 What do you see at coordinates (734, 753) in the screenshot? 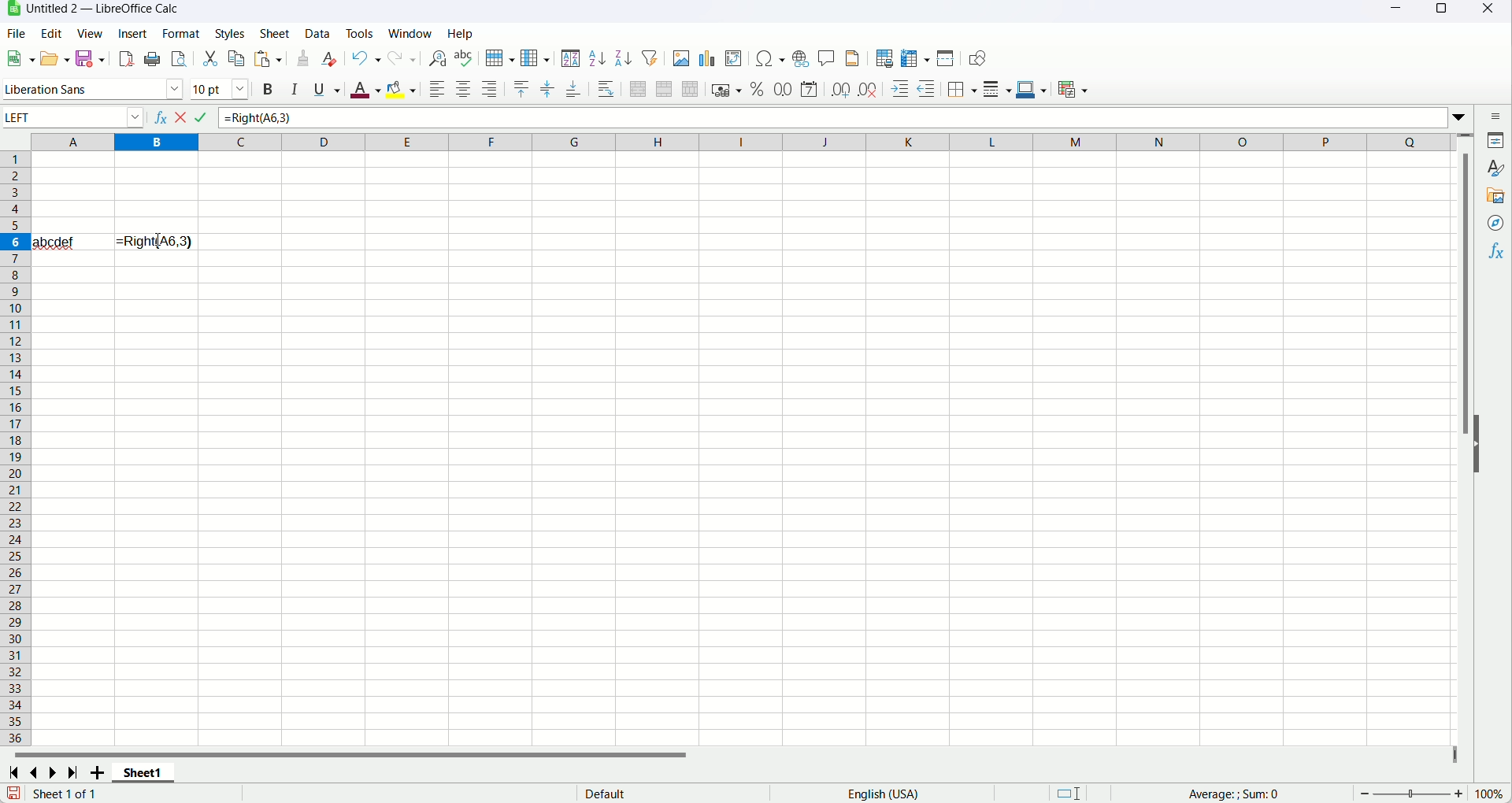
I see `horizontal scroll bar` at bounding box center [734, 753].